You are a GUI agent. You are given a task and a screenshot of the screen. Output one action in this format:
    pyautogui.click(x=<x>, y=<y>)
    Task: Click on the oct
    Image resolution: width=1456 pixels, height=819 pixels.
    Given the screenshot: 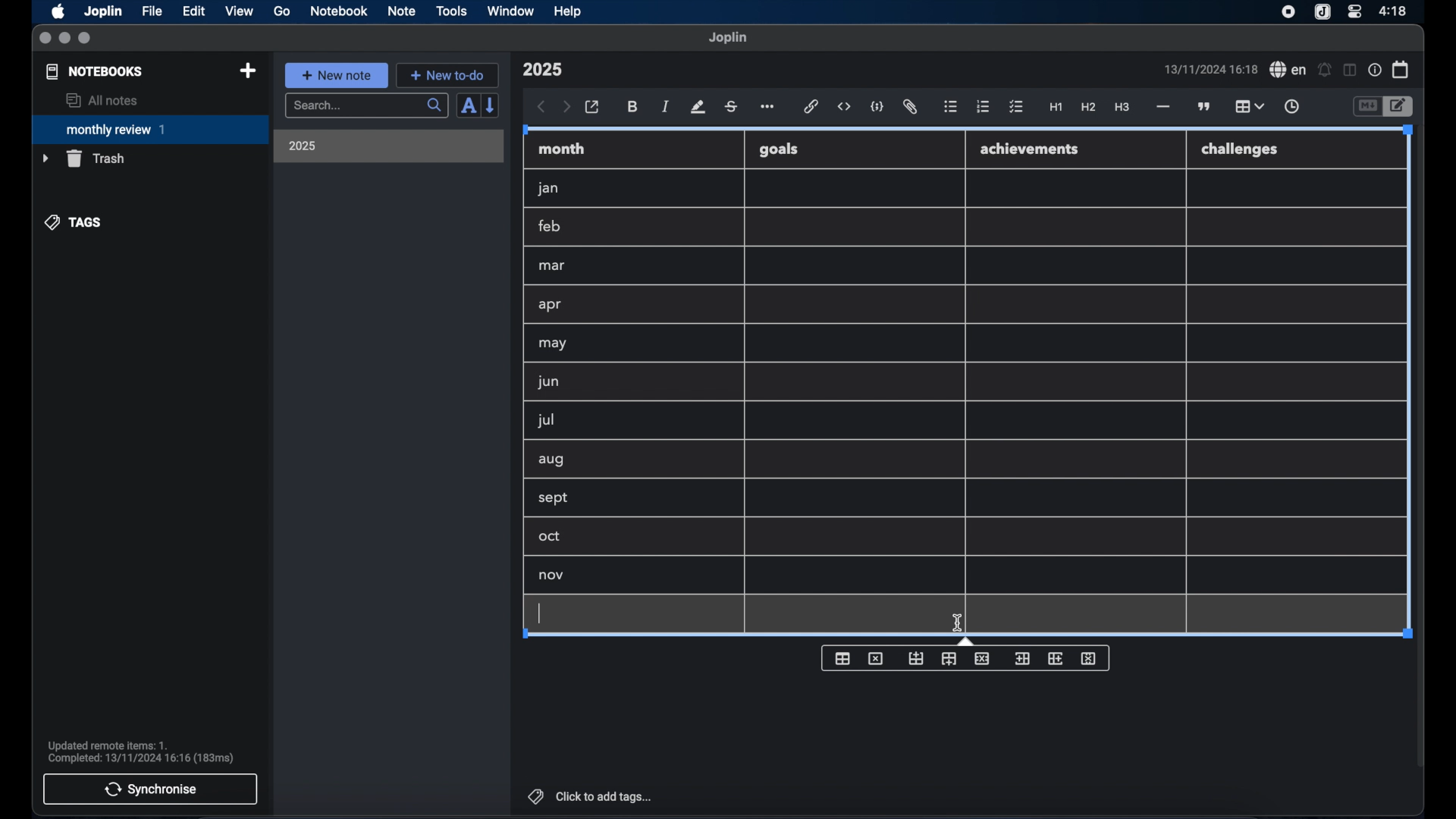 What is the action you would take?
    pyautogui.click(x=551, y=538)
    